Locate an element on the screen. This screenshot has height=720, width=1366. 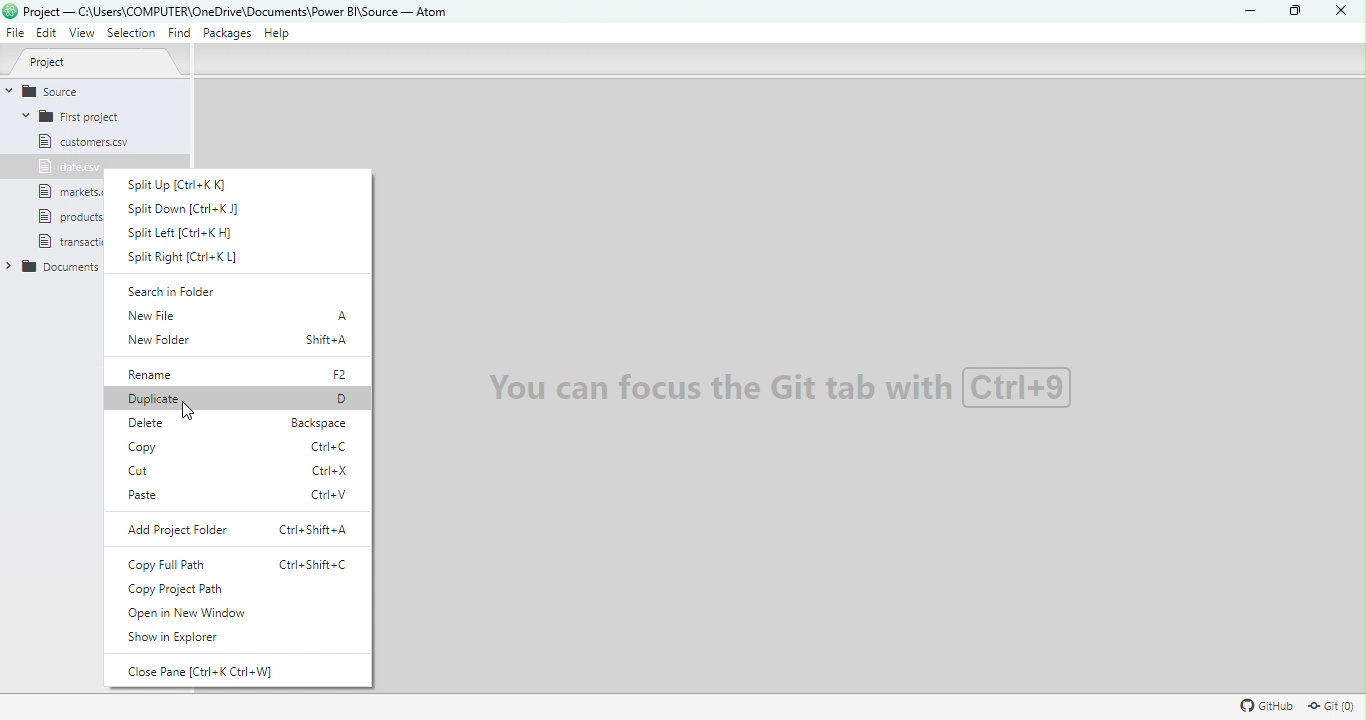
Copy project path is located at coordinates (197, 590).